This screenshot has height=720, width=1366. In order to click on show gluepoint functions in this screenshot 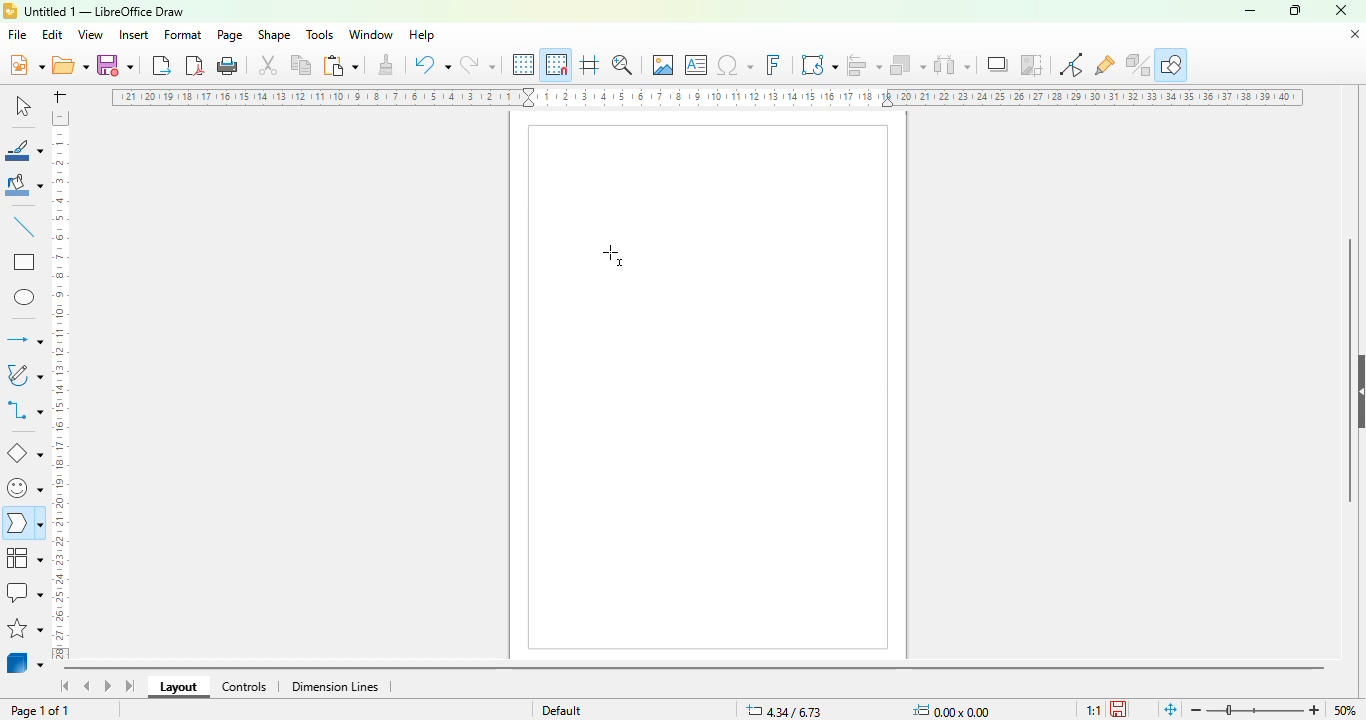, I will do `click(1104, 66)`.